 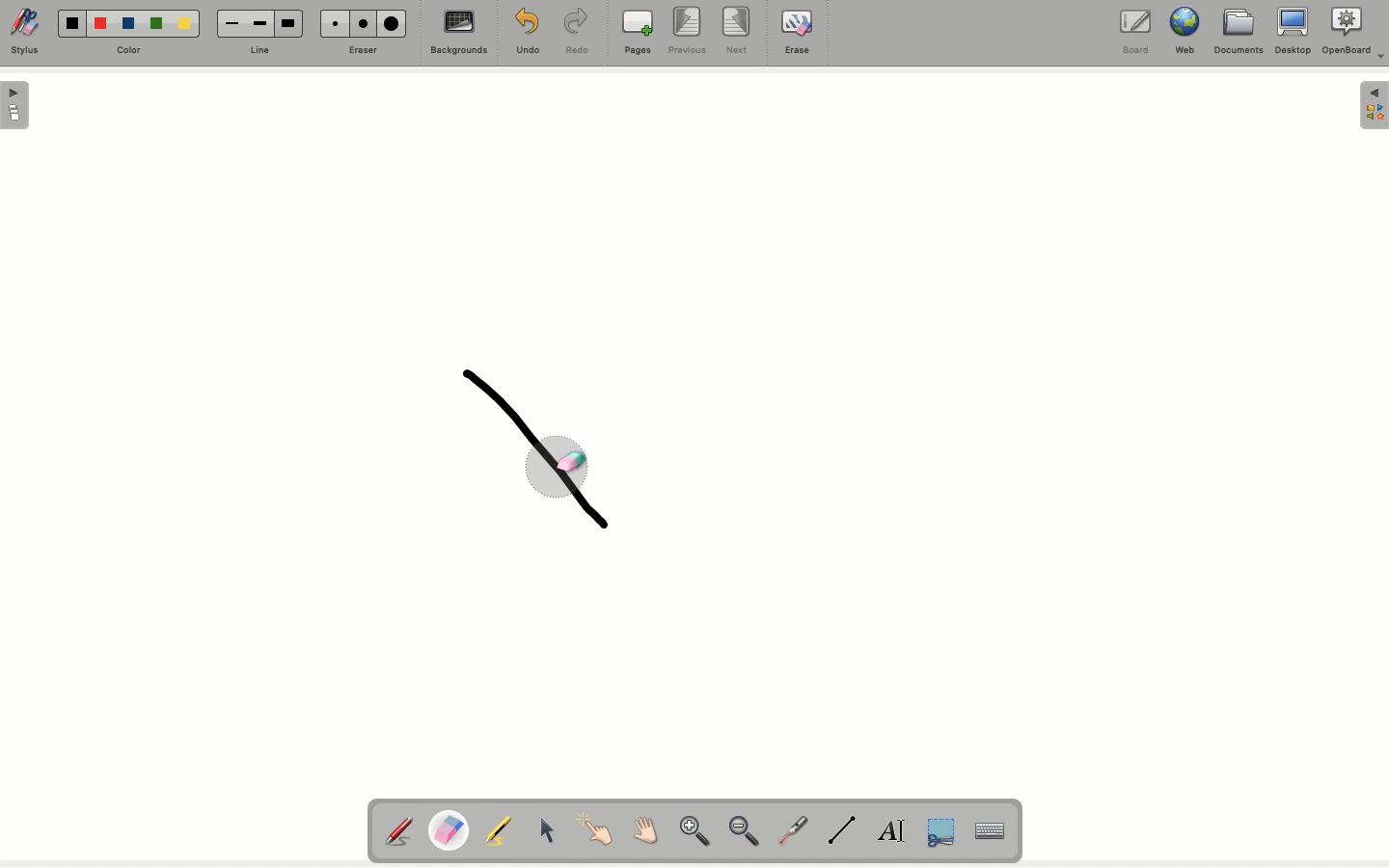 I want to click on Next, so click(x=738, y=30).